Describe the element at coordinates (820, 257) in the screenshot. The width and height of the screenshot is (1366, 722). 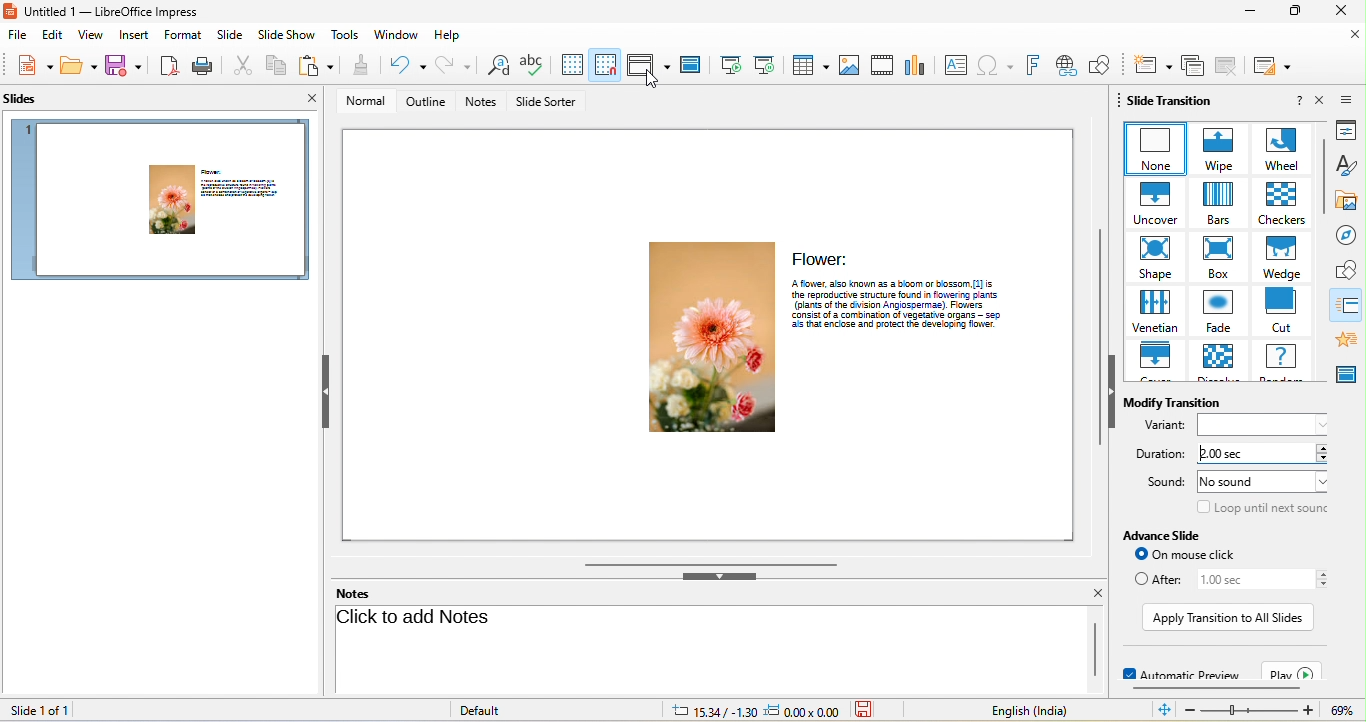
I see `flower` at that location.